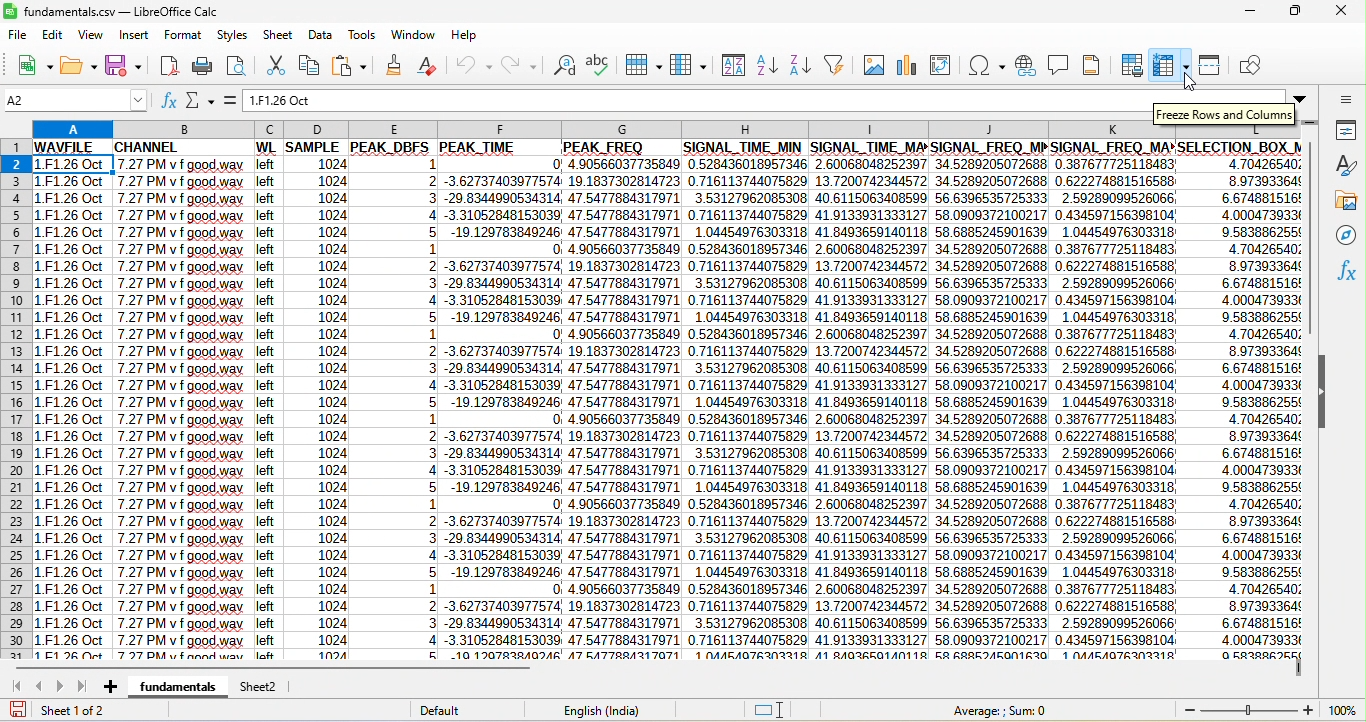 This screenshot has width=1366, height=722. Describe the element at coordinates (314, 64) in the screenshot. I see `copy` at that location.